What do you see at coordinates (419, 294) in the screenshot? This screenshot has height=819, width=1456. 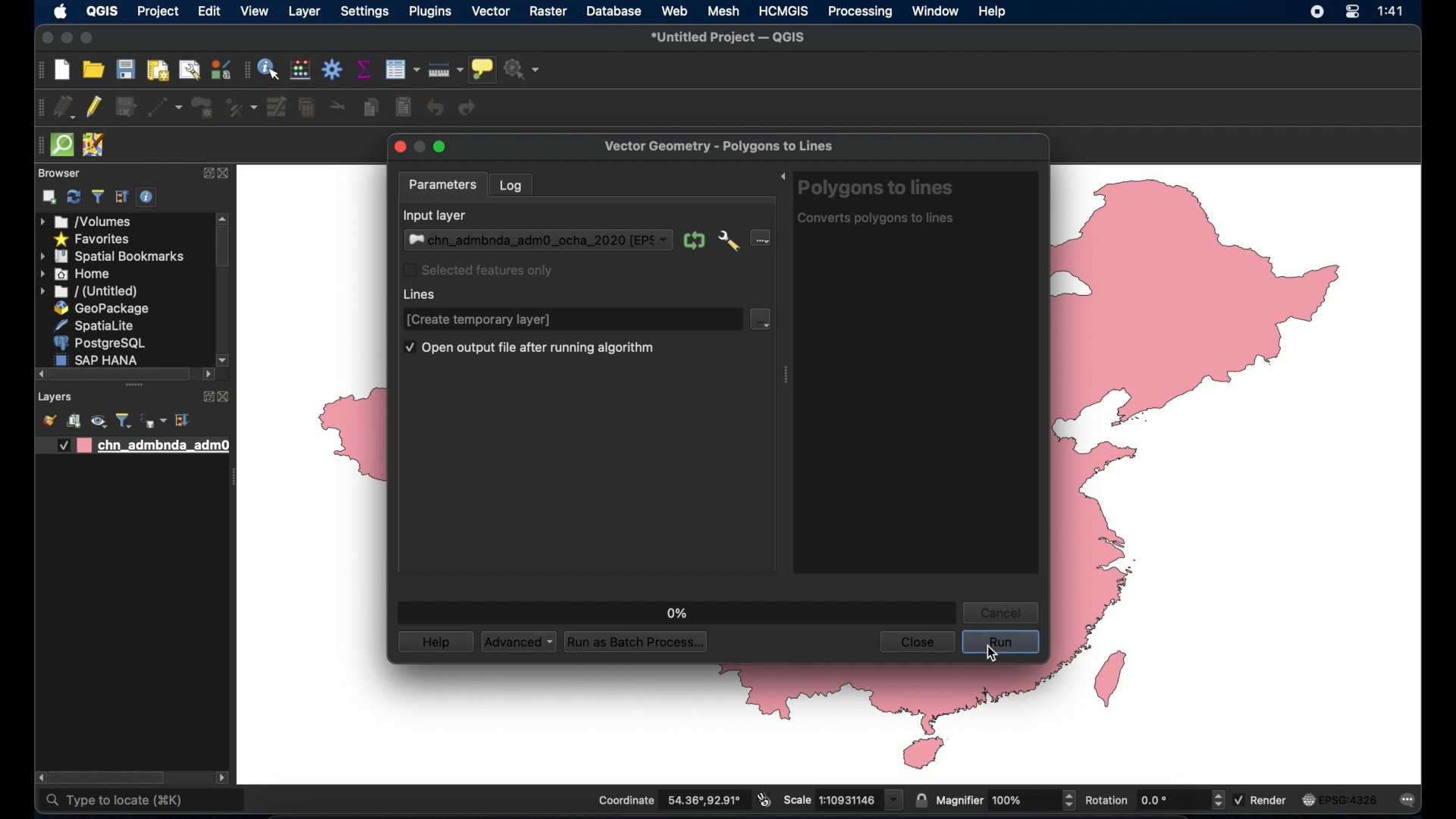 I see `lines` at bounding box center [419, 294].